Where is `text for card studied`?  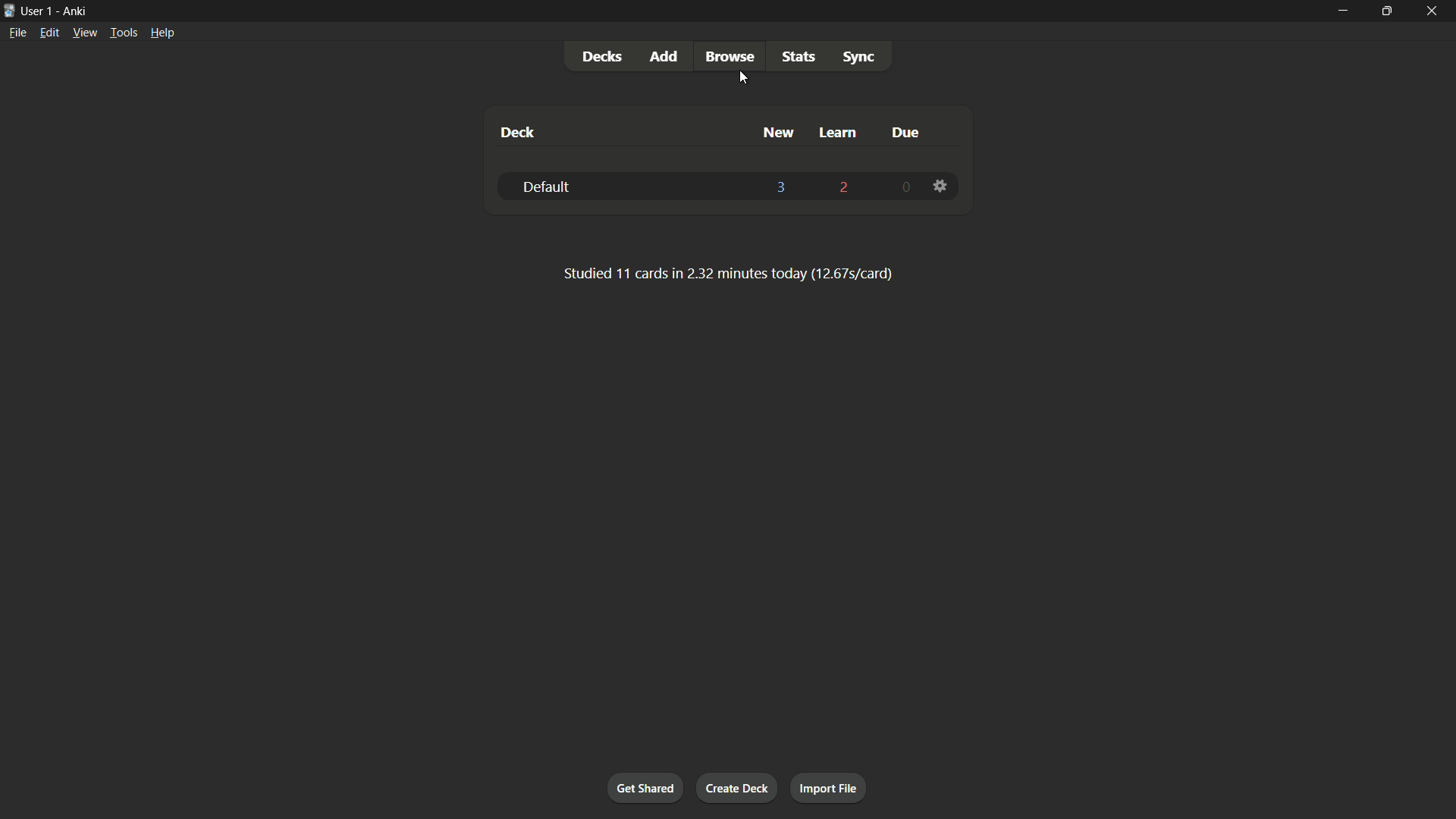
text for card studied is located at coordinates (730, 275).